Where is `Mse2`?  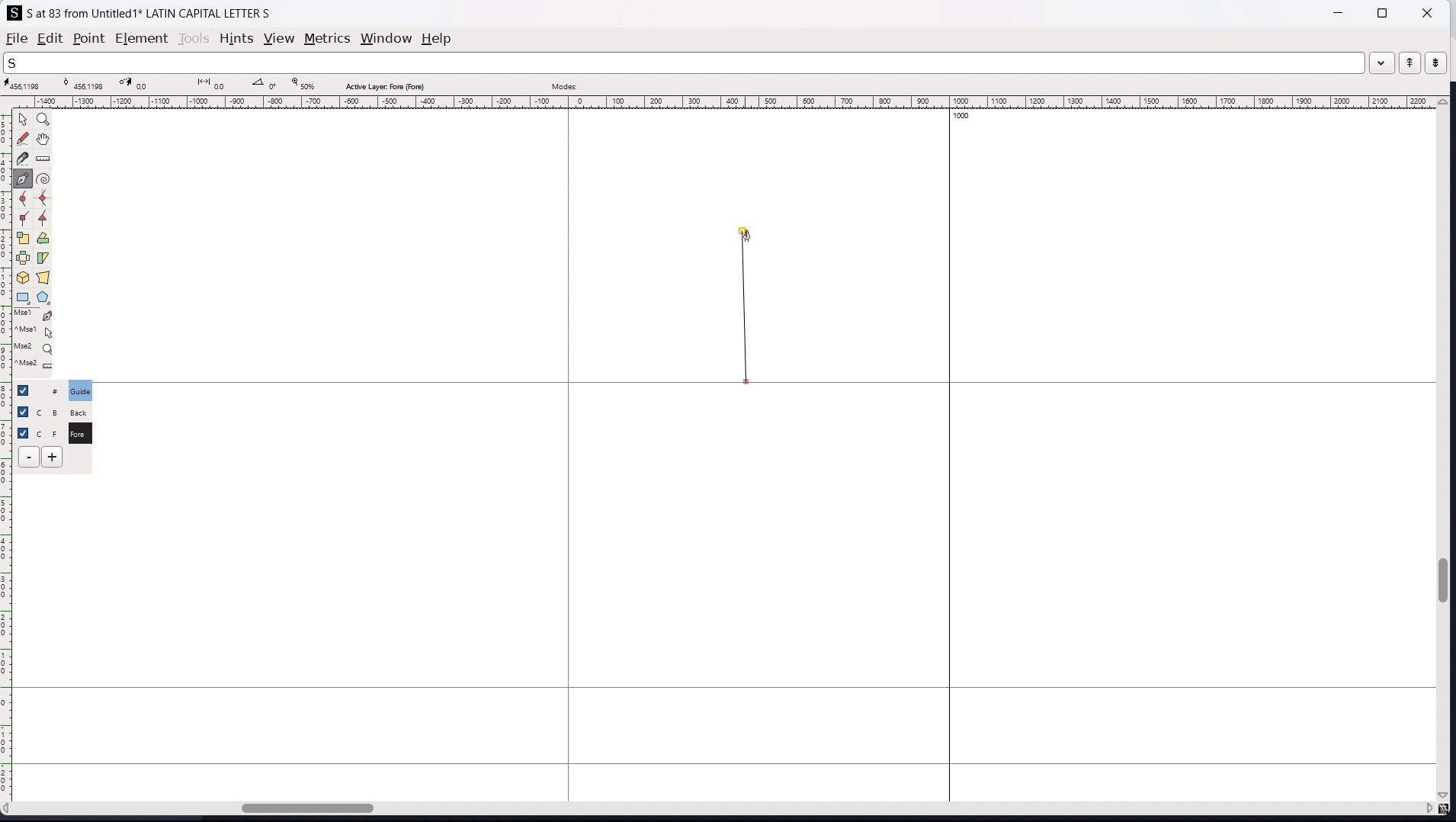
Mse2 is located at coordinates (35, 348).